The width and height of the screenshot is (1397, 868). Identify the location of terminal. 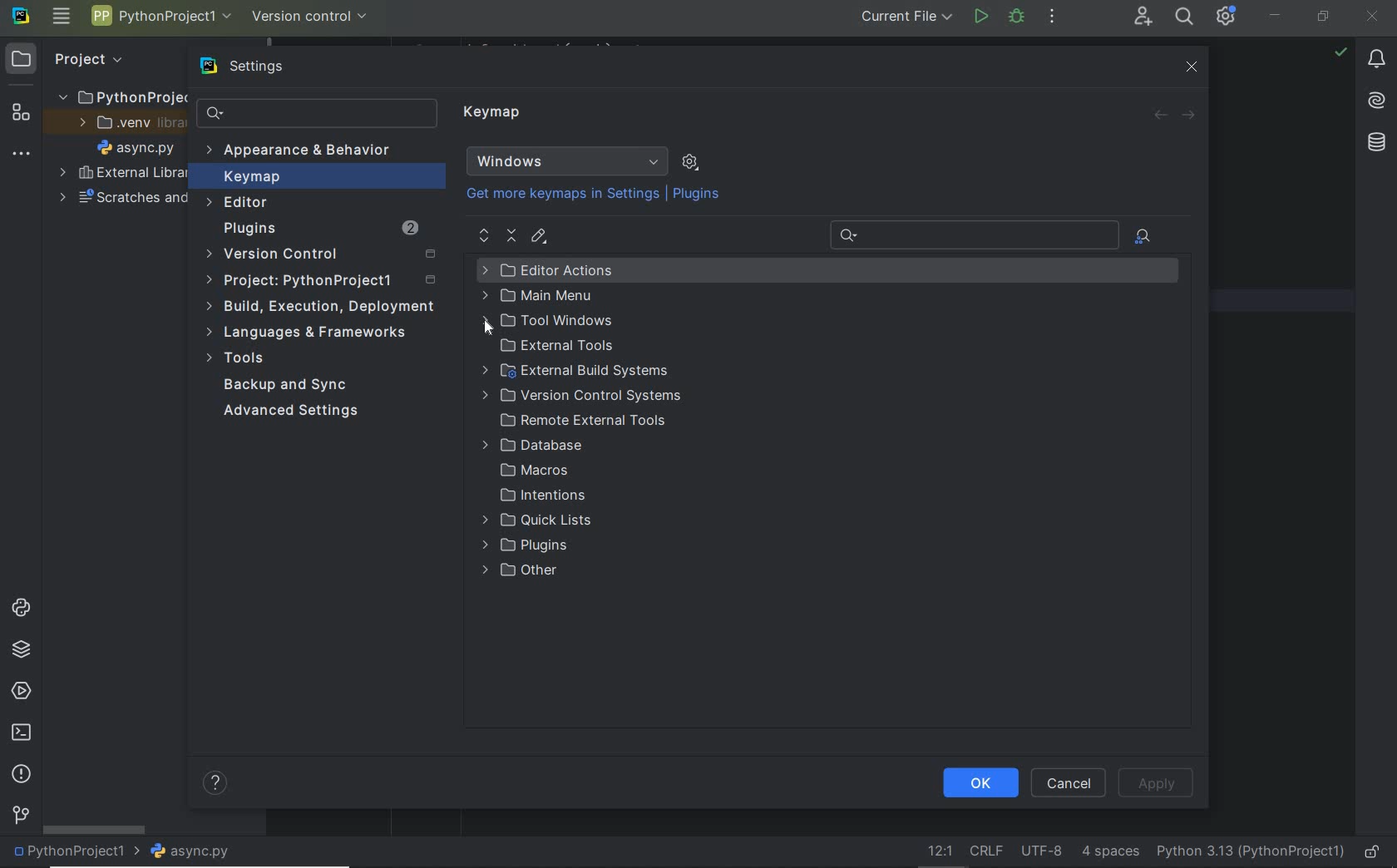
(20, 733).